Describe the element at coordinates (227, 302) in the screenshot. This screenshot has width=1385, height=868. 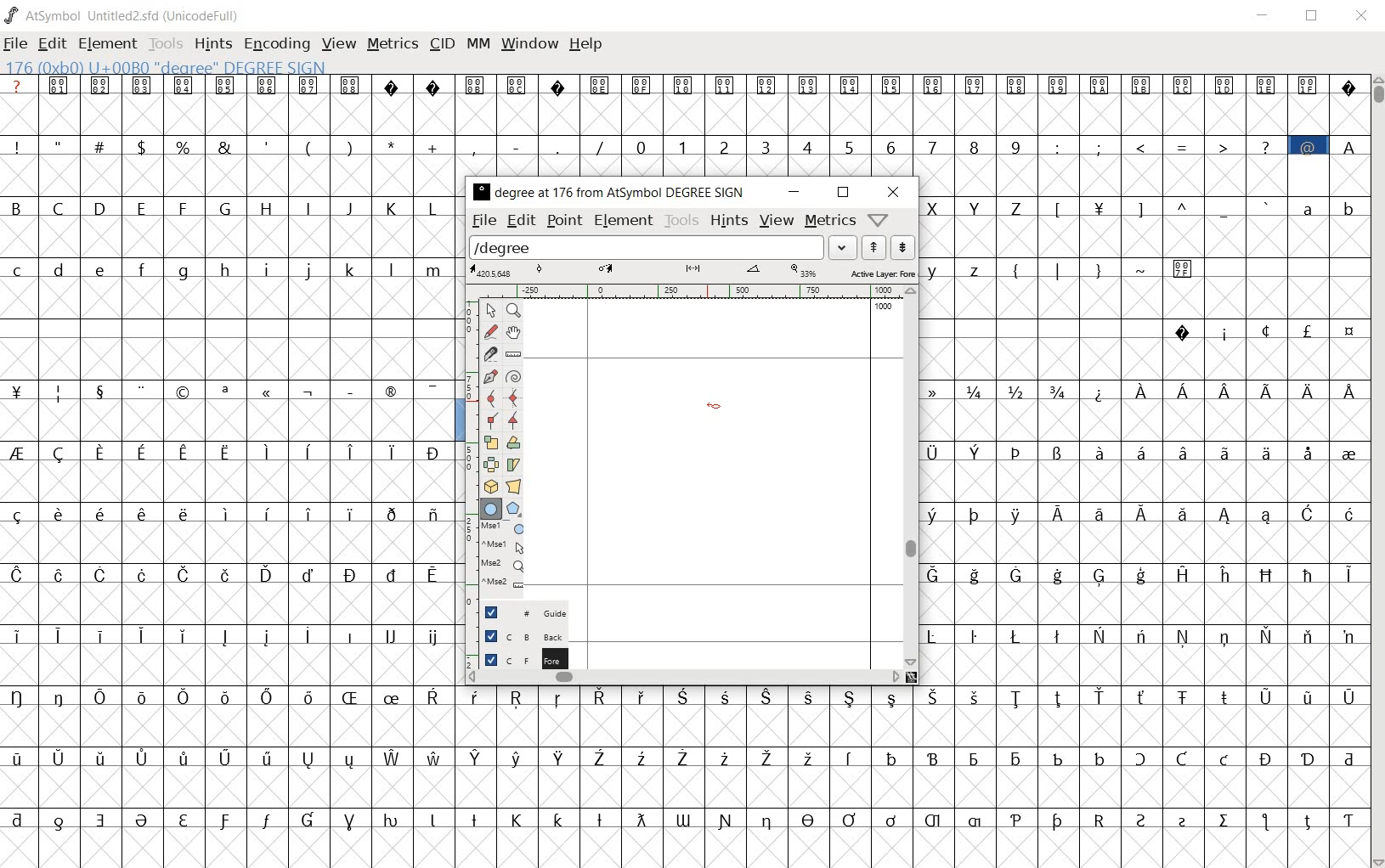
I see `empty glyph slots` at that location.